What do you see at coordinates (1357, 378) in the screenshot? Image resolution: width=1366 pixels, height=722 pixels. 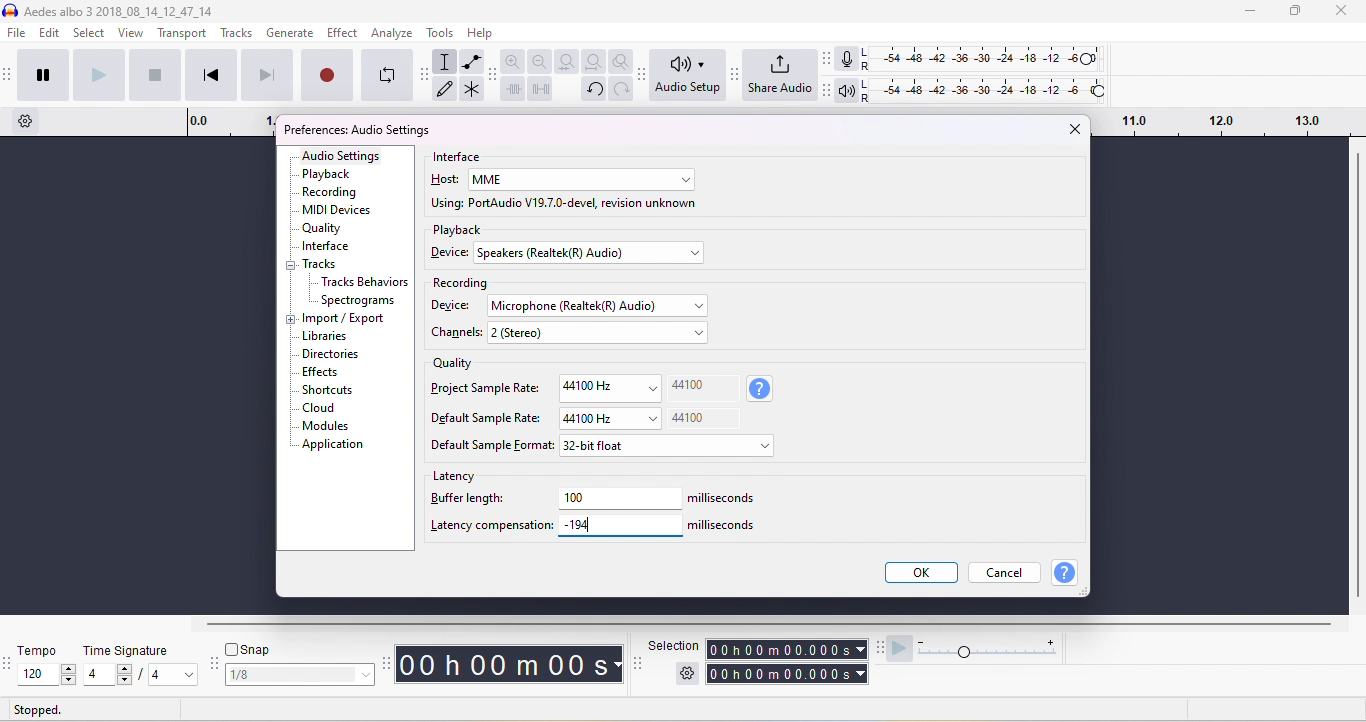 I see `vertical scroll bar` at bounding box center [1357, 378].